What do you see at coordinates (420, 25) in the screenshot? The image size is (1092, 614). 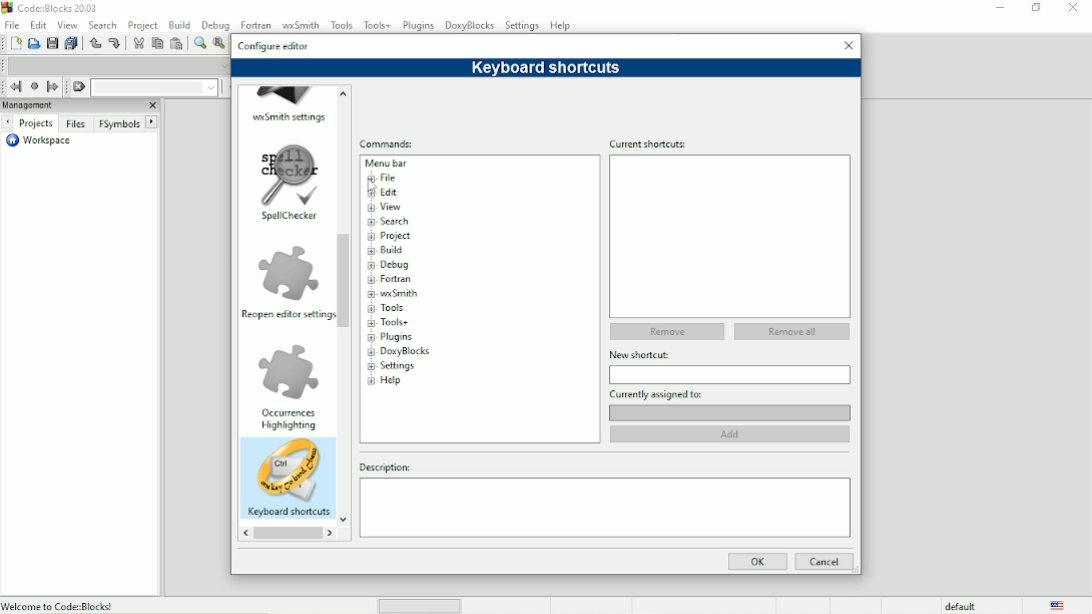 I see `Plugins` at bounding box center [420, 25].